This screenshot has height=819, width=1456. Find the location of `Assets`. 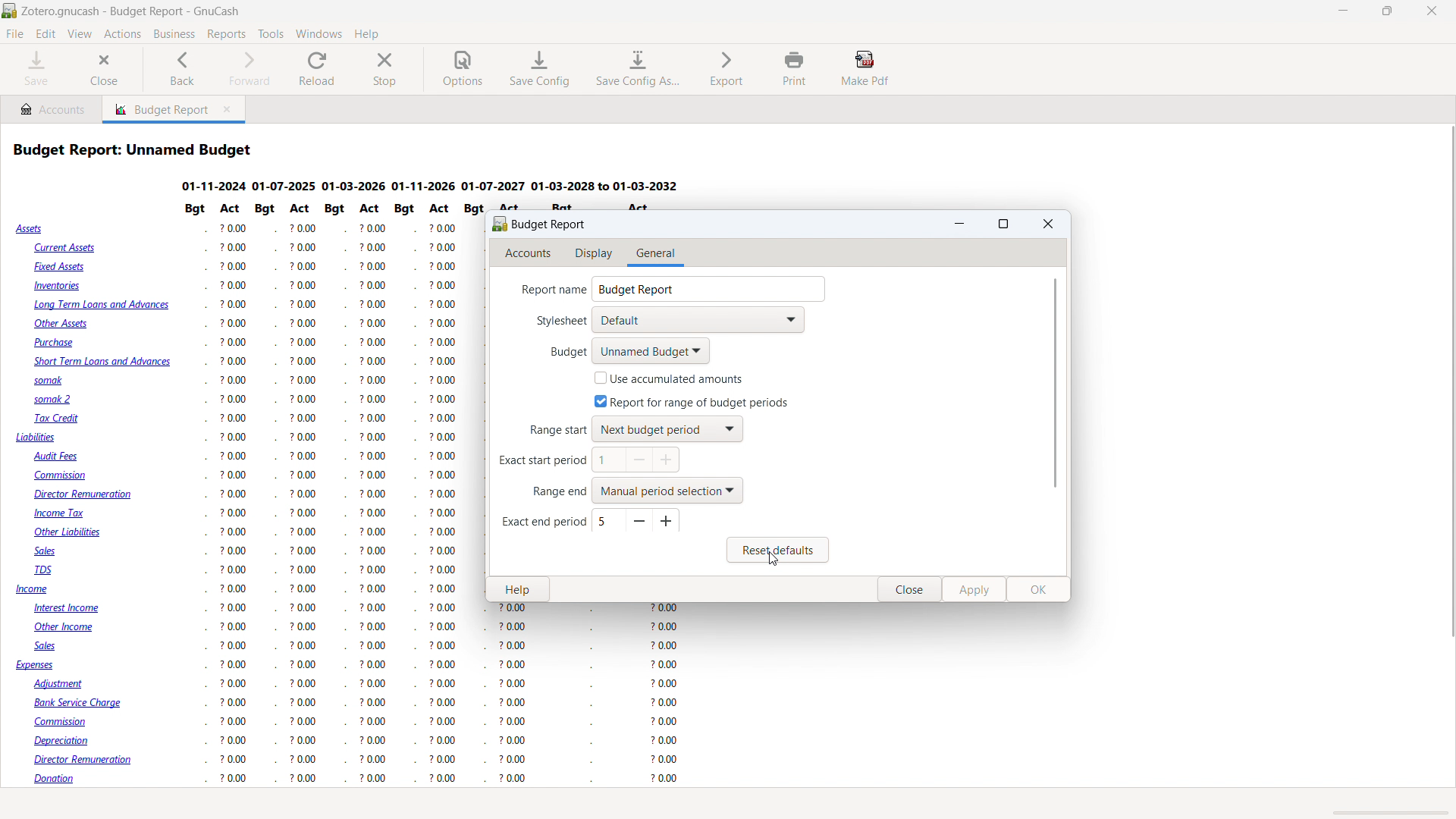

Assets is located at coordinates (31, 229).